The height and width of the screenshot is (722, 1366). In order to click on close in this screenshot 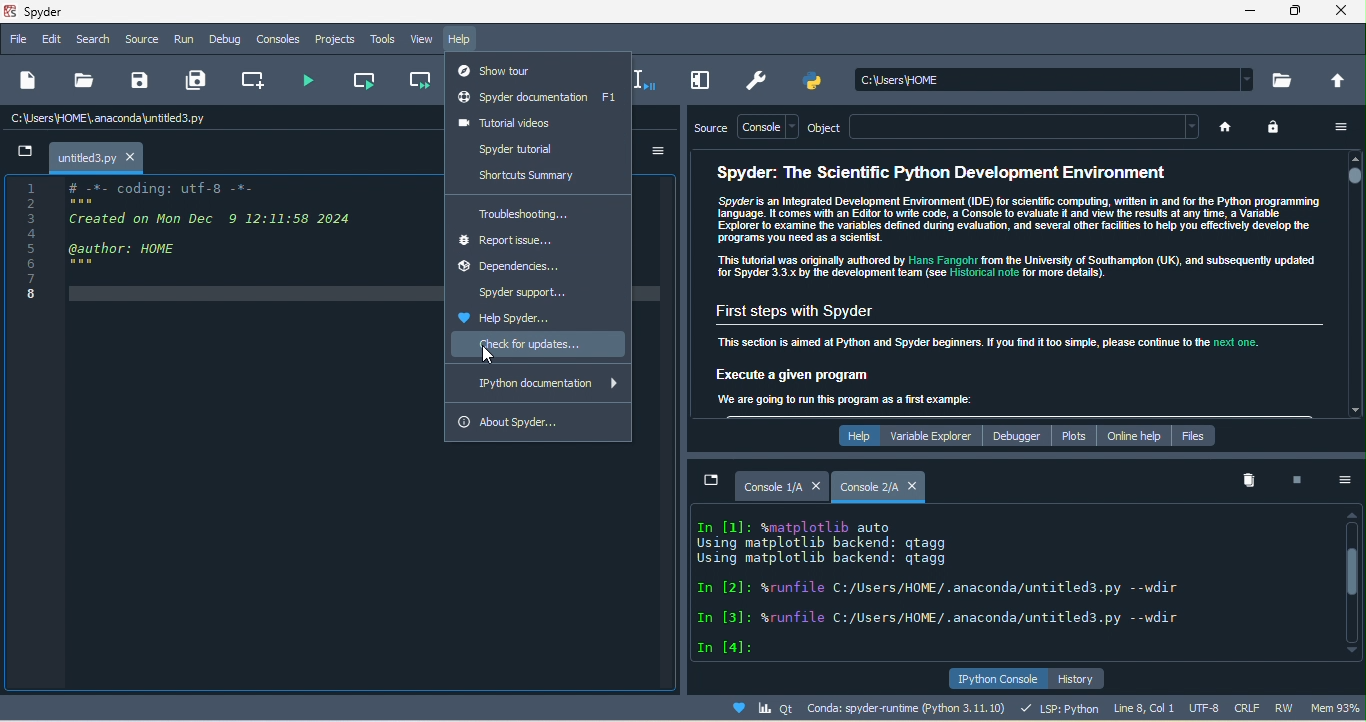, I will do `click(1345, 14)`.